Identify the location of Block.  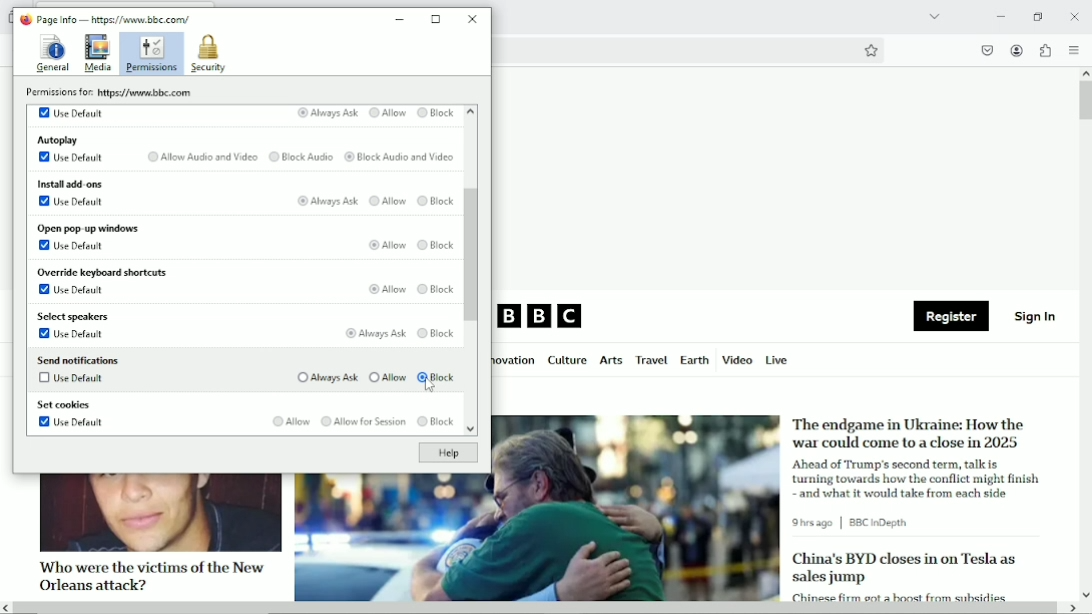
(439, 378).